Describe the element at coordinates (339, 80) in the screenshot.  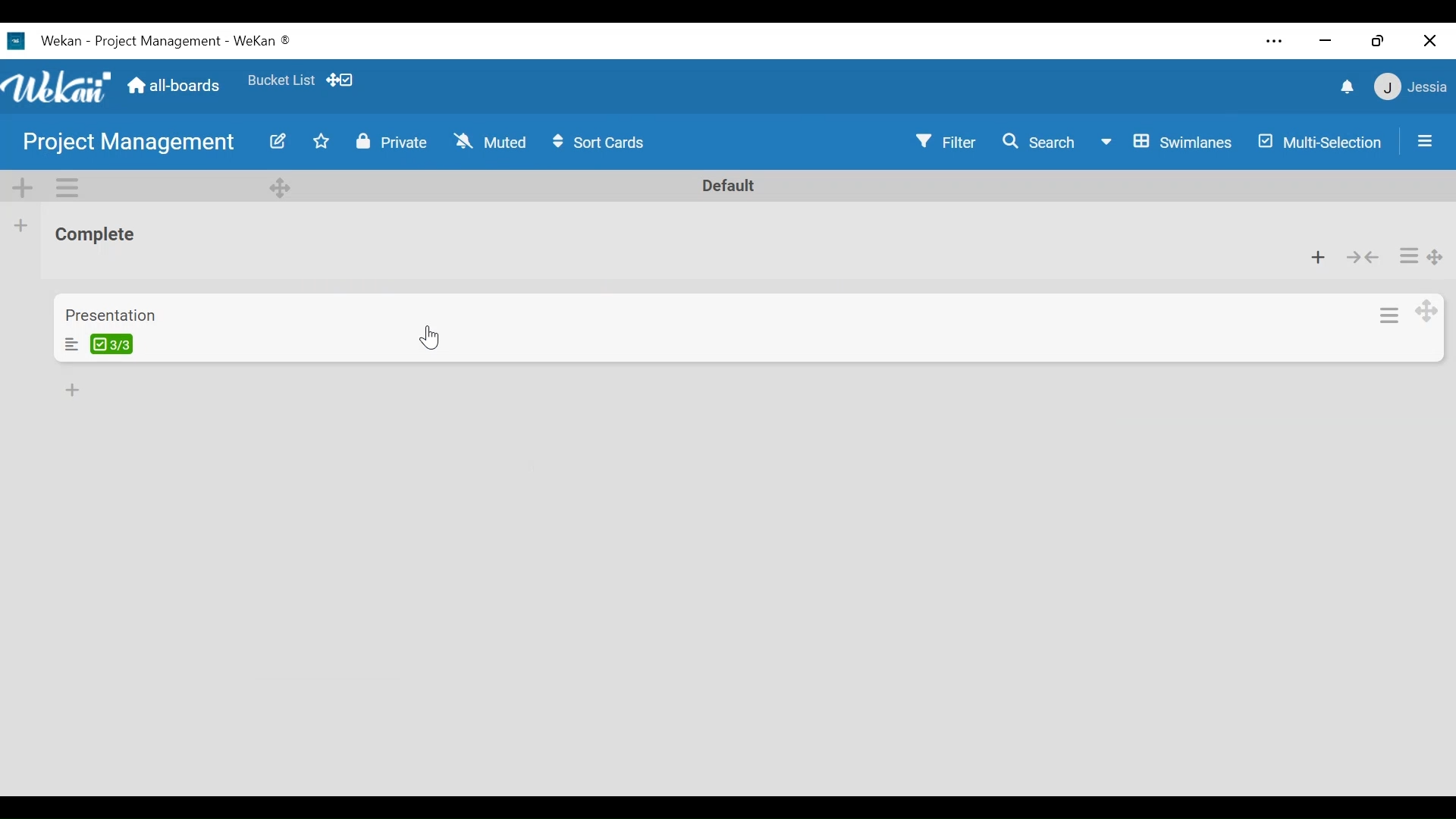
I see `Show/Hide desktop drag handle` at that location.